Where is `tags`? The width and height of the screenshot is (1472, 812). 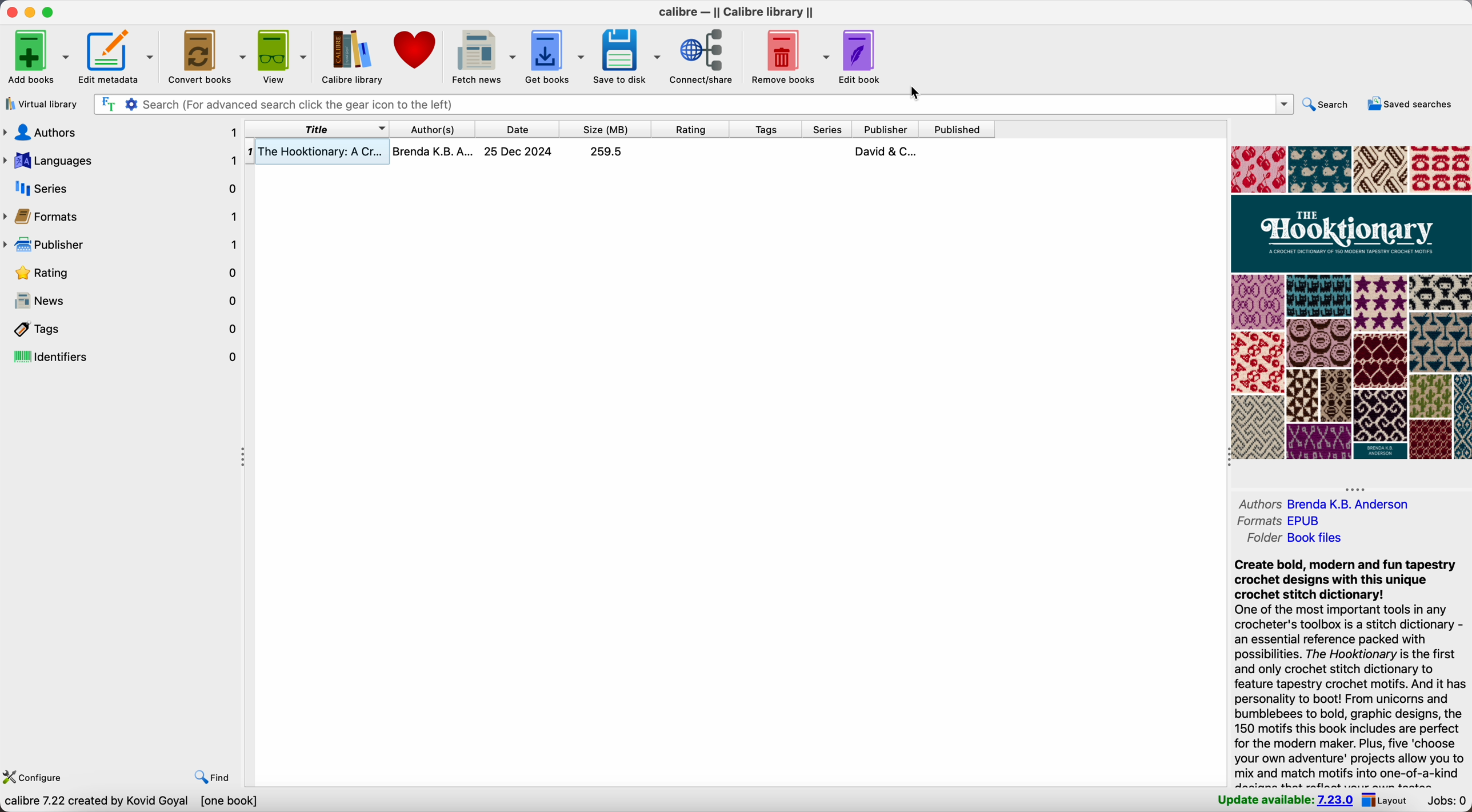
tags is located at coordinates (766, 129).